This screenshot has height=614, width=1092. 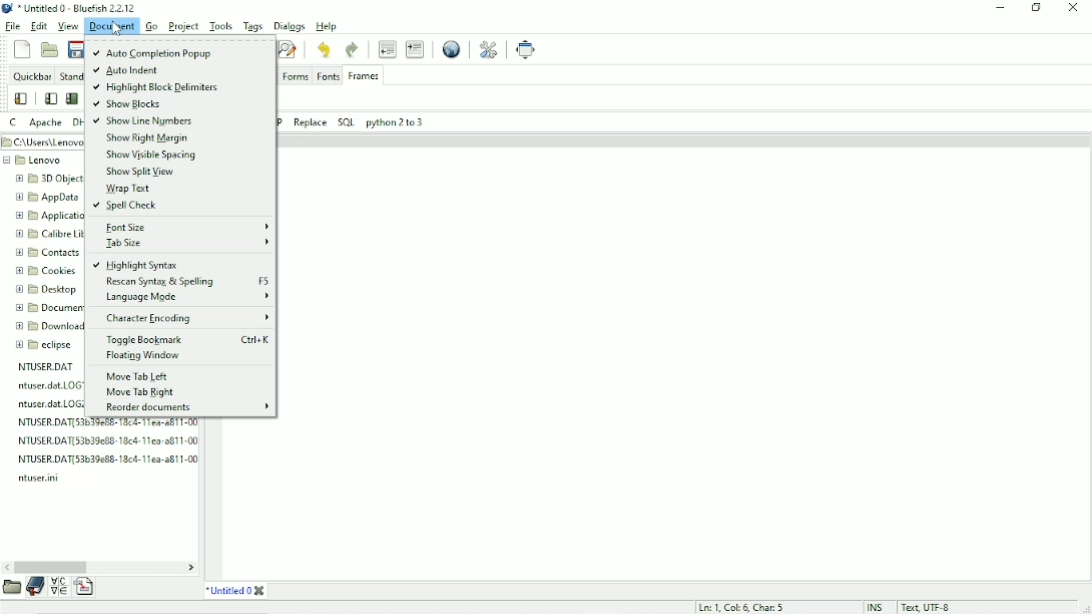 What do you see at coordinates (184, 408) in the screenshot?
I see `Reorder documents` at bounding box center [184, 408].